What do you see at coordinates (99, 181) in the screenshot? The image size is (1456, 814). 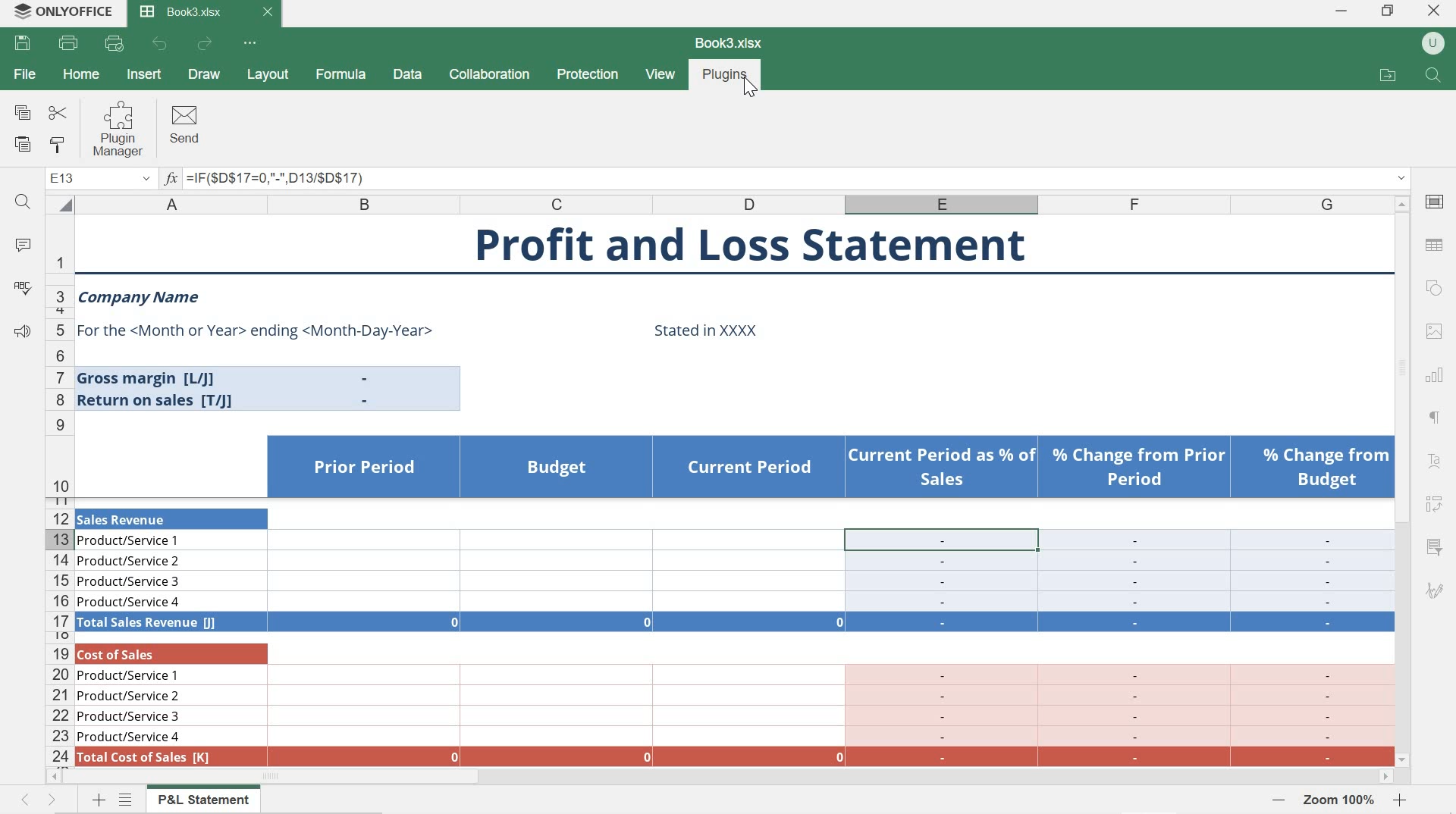 I see `insert cell location` at bounding box center [99, 181].